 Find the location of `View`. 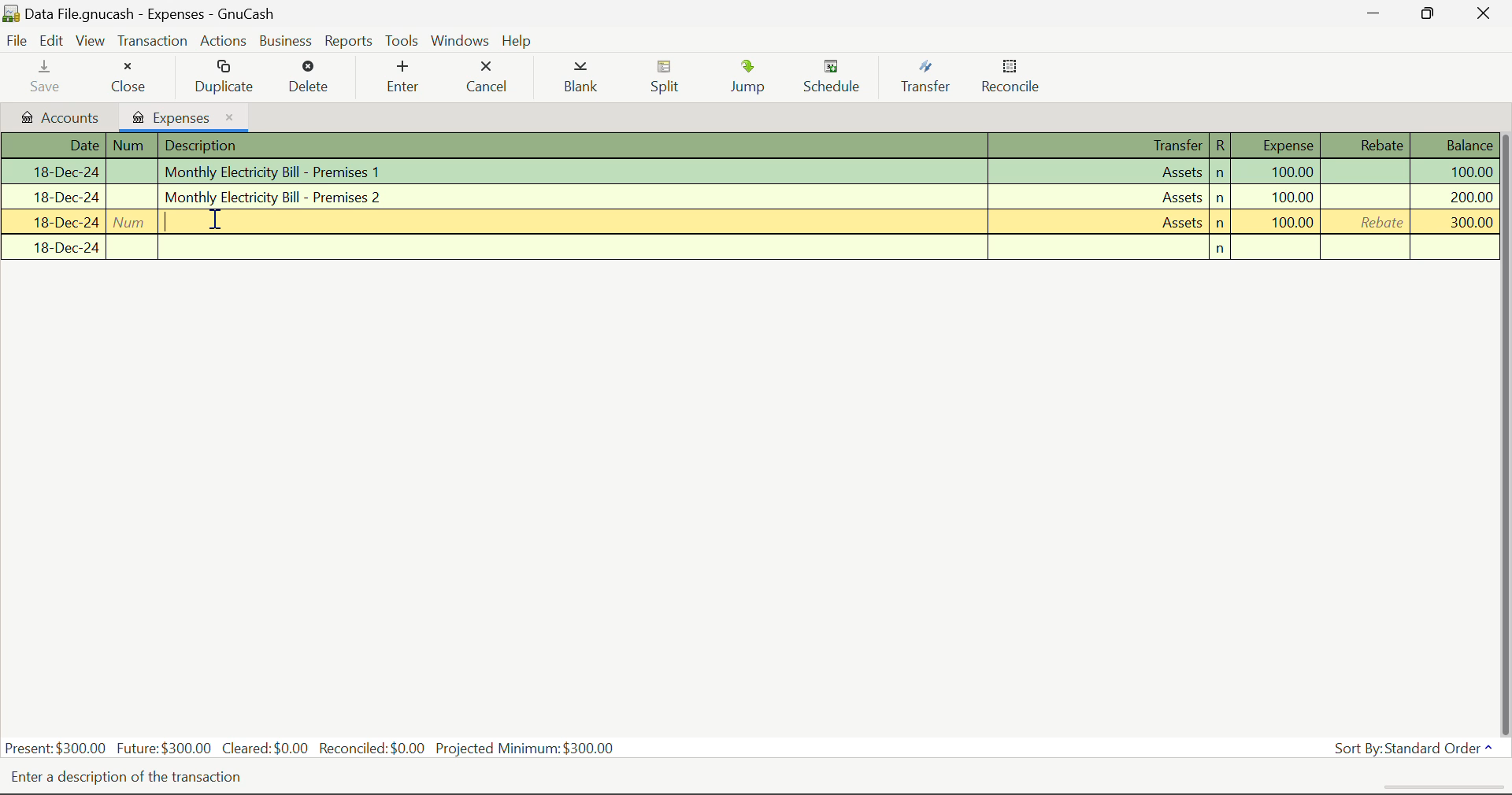

View is located at coordinates (91, 44).